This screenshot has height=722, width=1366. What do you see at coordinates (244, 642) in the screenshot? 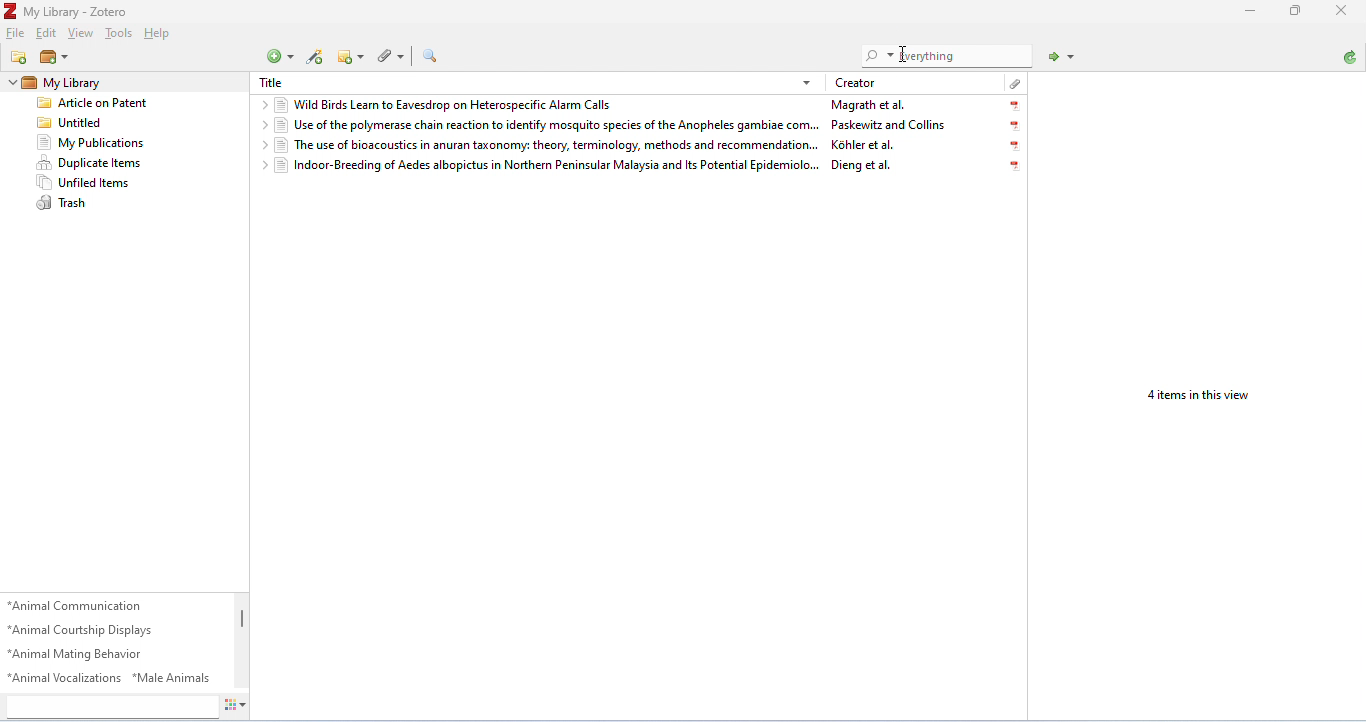
I see `Scroll Bar` at bounding box center [244, 642].